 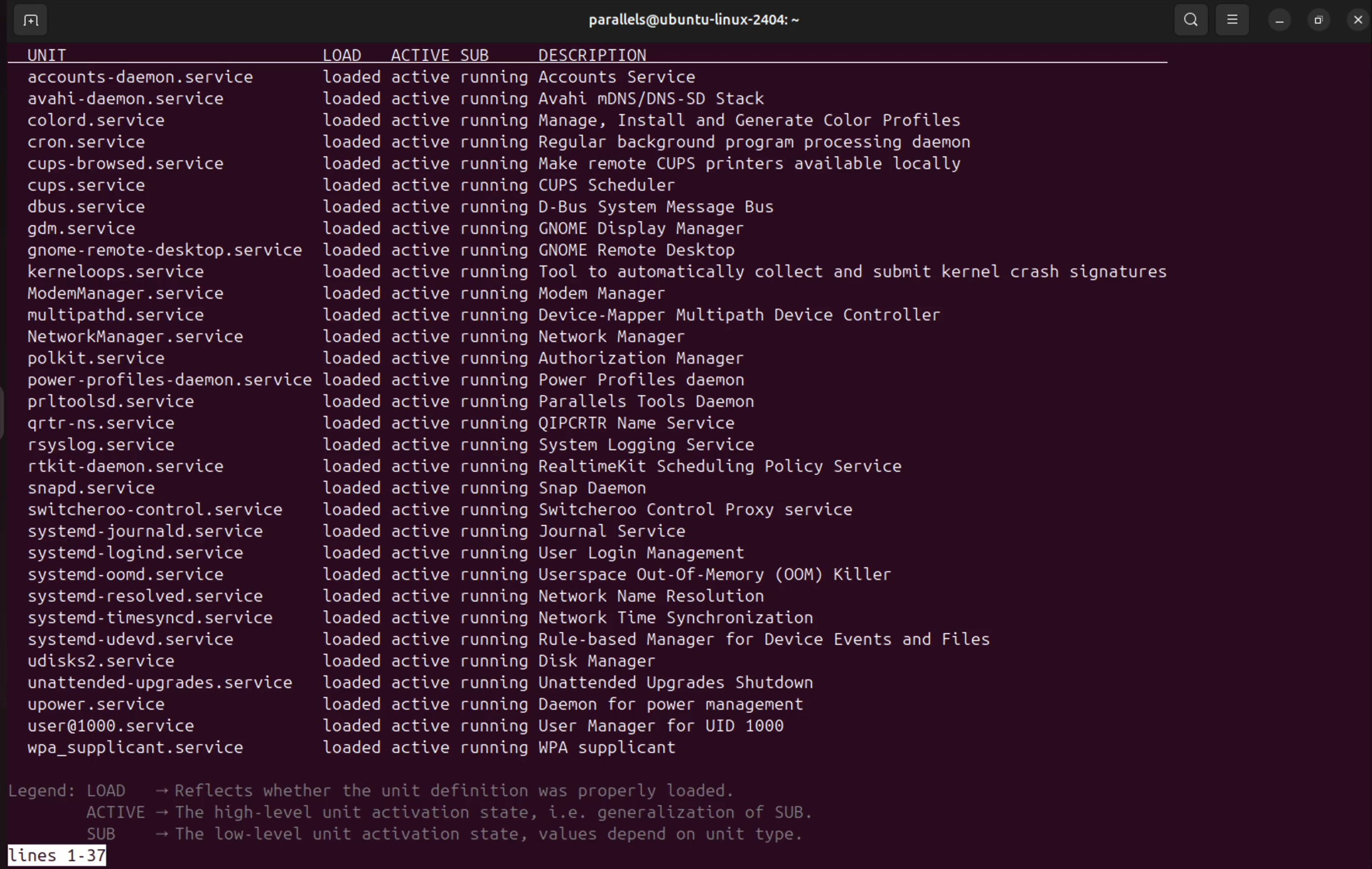 I want to click on active running , so click(x=640, y=405).